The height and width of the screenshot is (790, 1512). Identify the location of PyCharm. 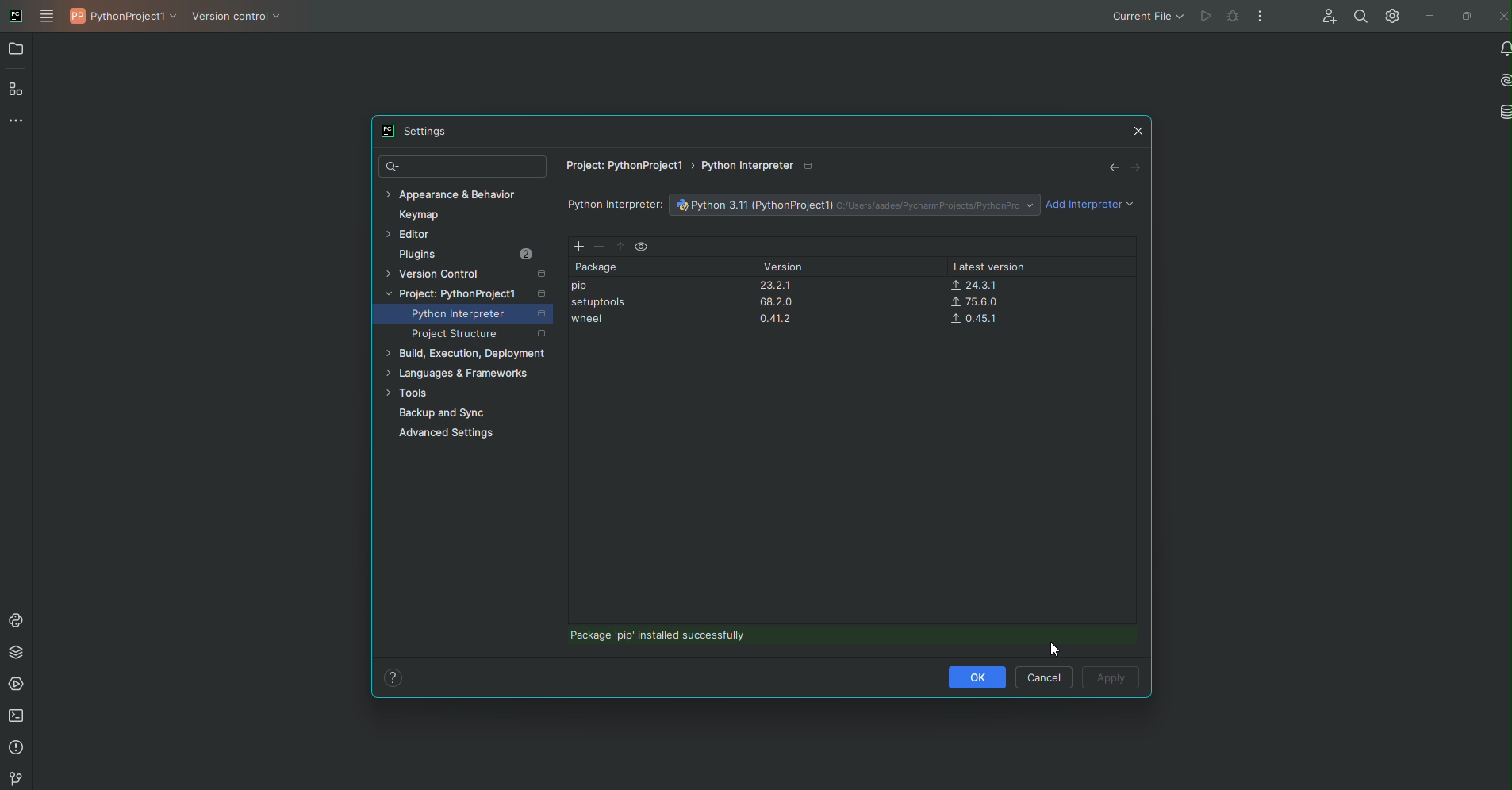
(15, 15).